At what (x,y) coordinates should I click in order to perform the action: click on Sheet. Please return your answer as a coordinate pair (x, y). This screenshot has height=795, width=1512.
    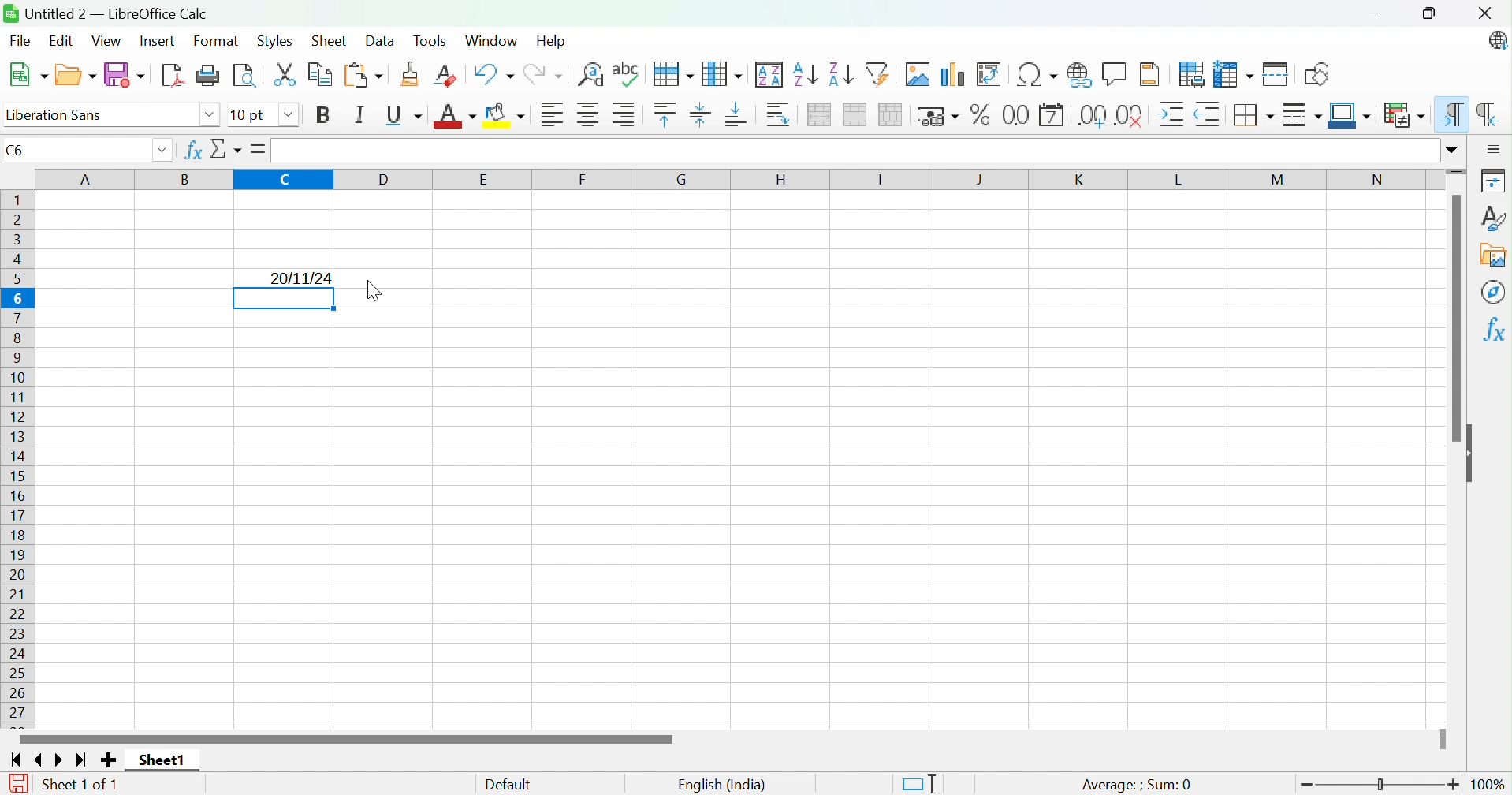
    Looking at the image, I should click on (328, 40).